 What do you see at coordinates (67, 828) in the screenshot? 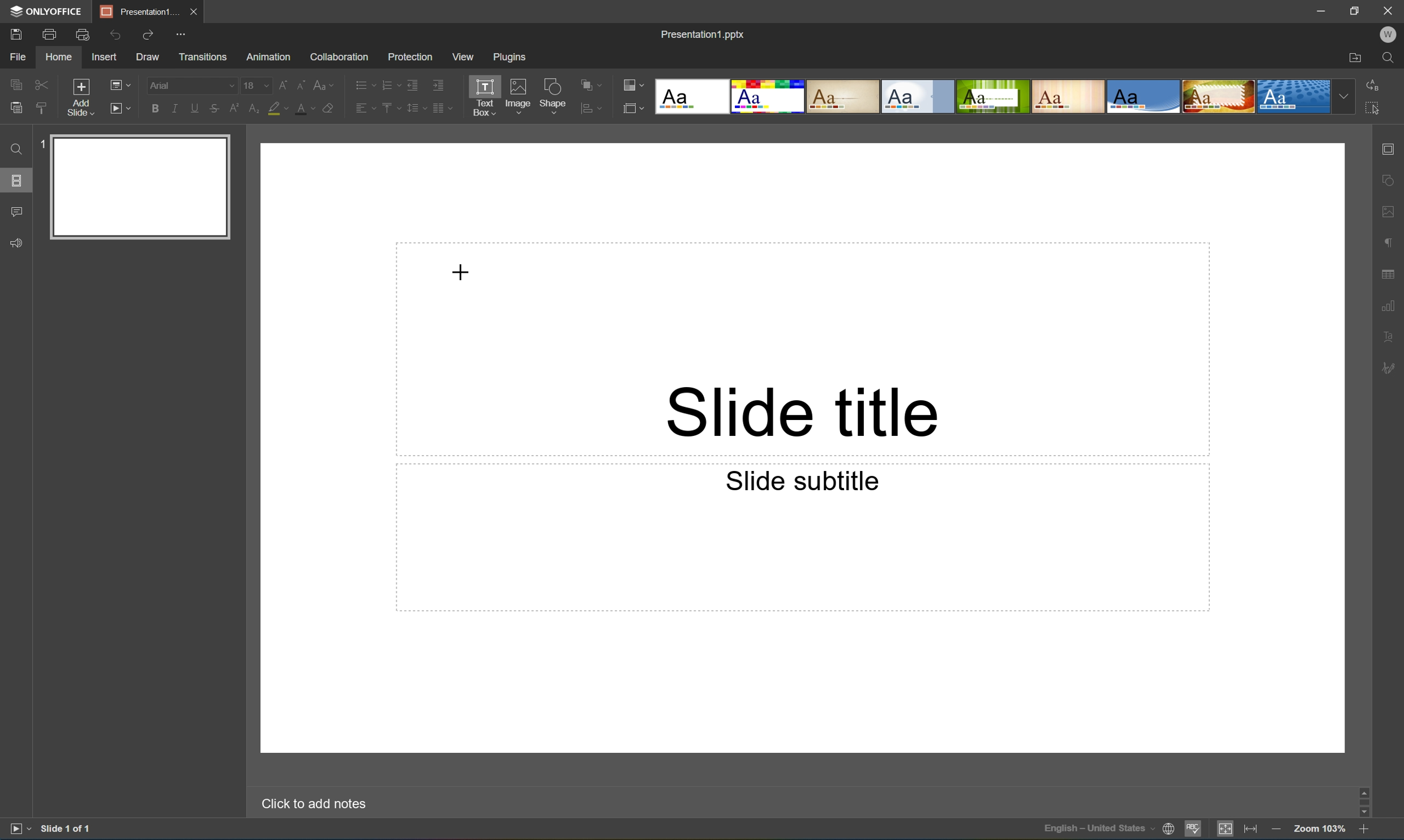
I see `Slide 1 of 1` at bounding box center [67, 828].